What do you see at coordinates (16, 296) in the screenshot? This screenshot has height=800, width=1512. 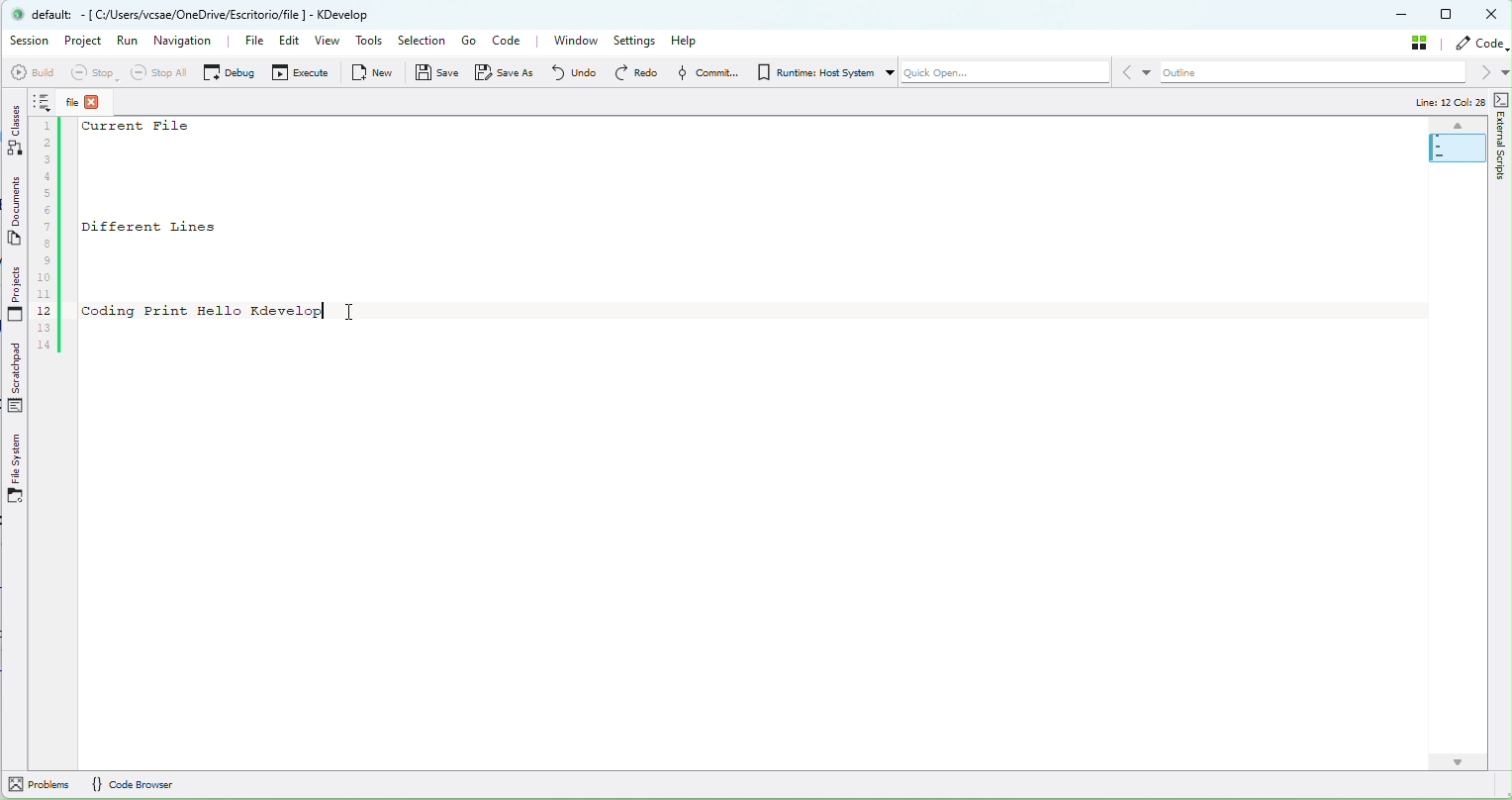 I see `Projects` at bounding box center [16, 296].